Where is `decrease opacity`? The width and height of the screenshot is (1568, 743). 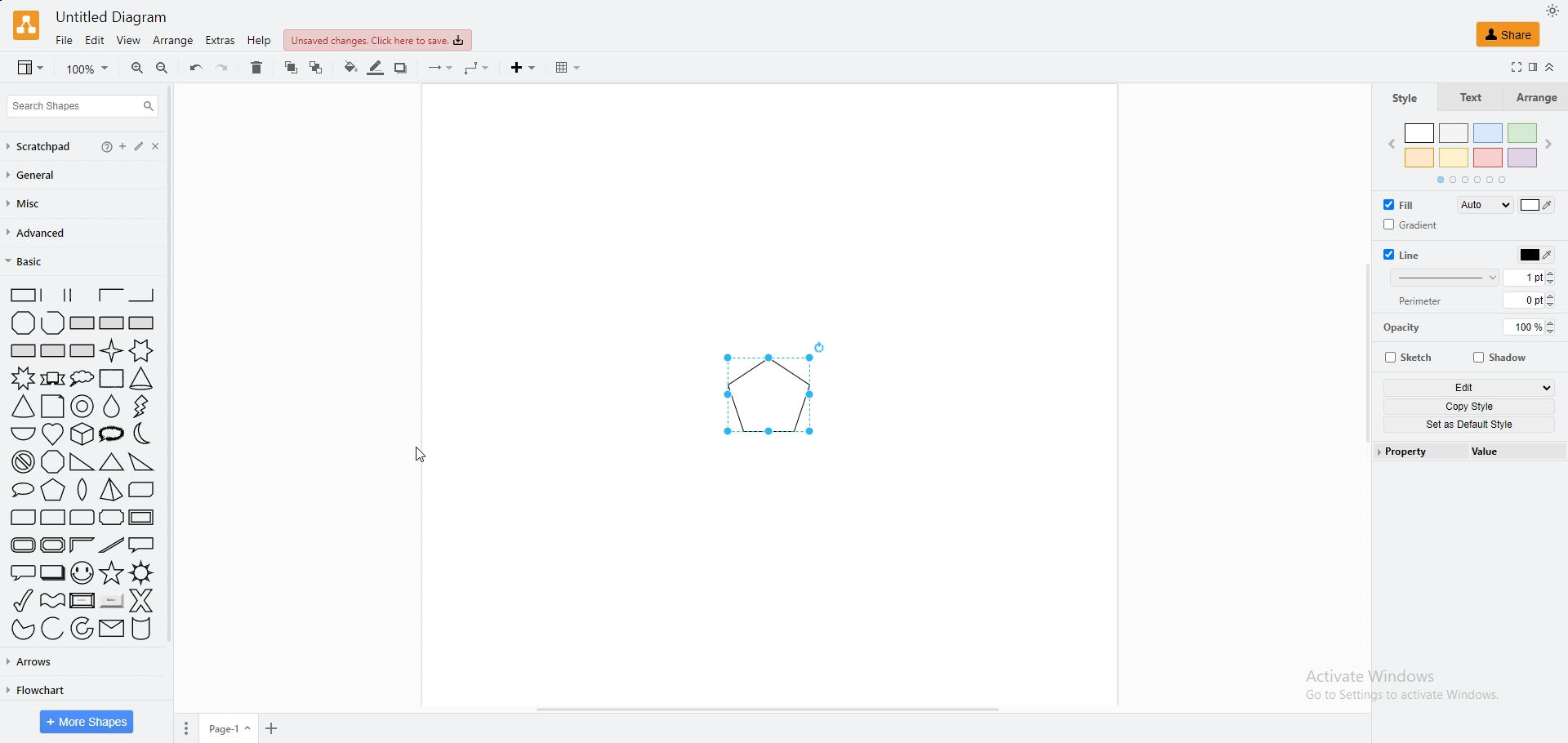 decrease opacity is located at coordinates (1554, 333).